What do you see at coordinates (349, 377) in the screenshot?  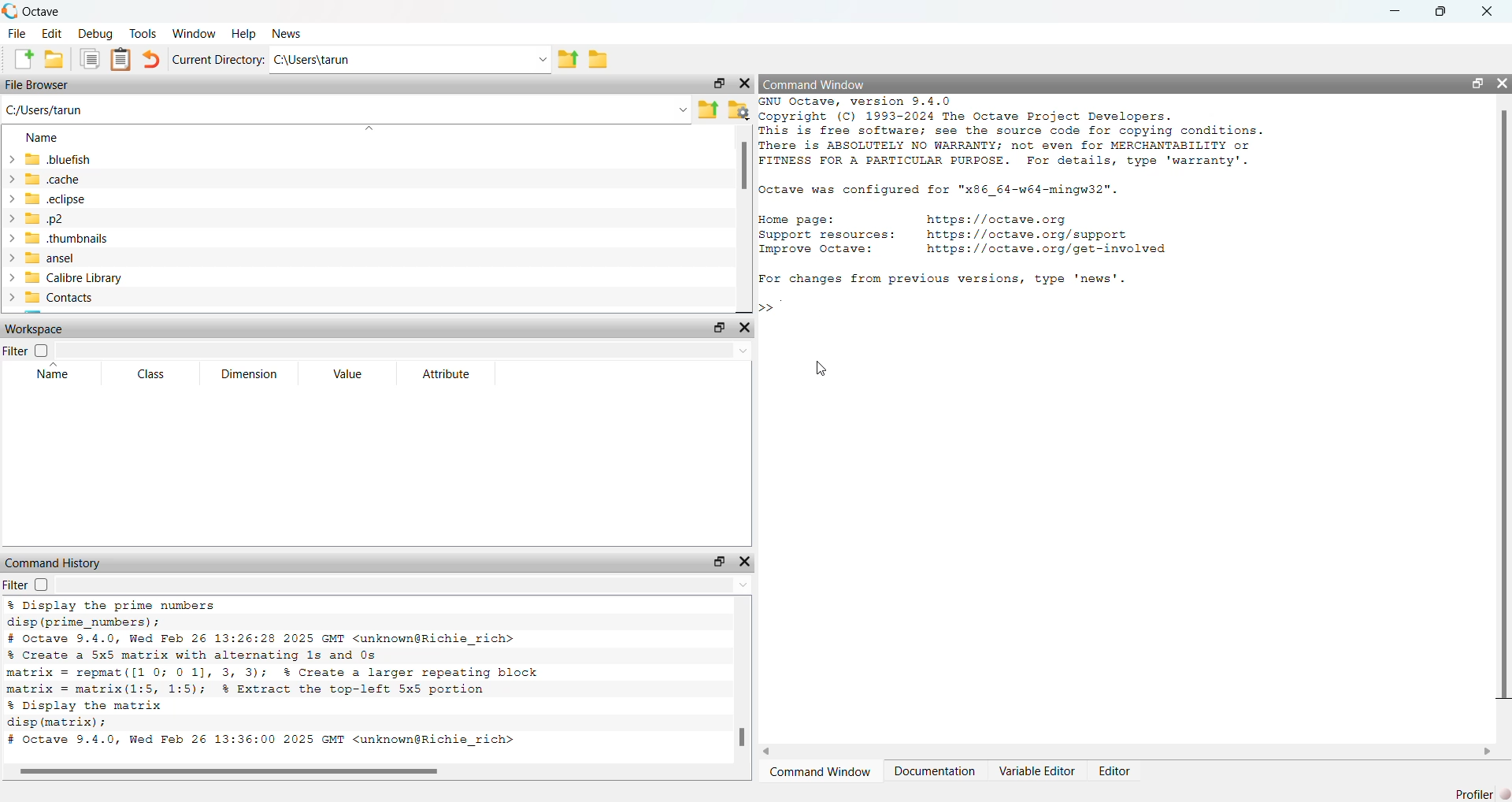 I see `value` at bounding box center [349, 377].